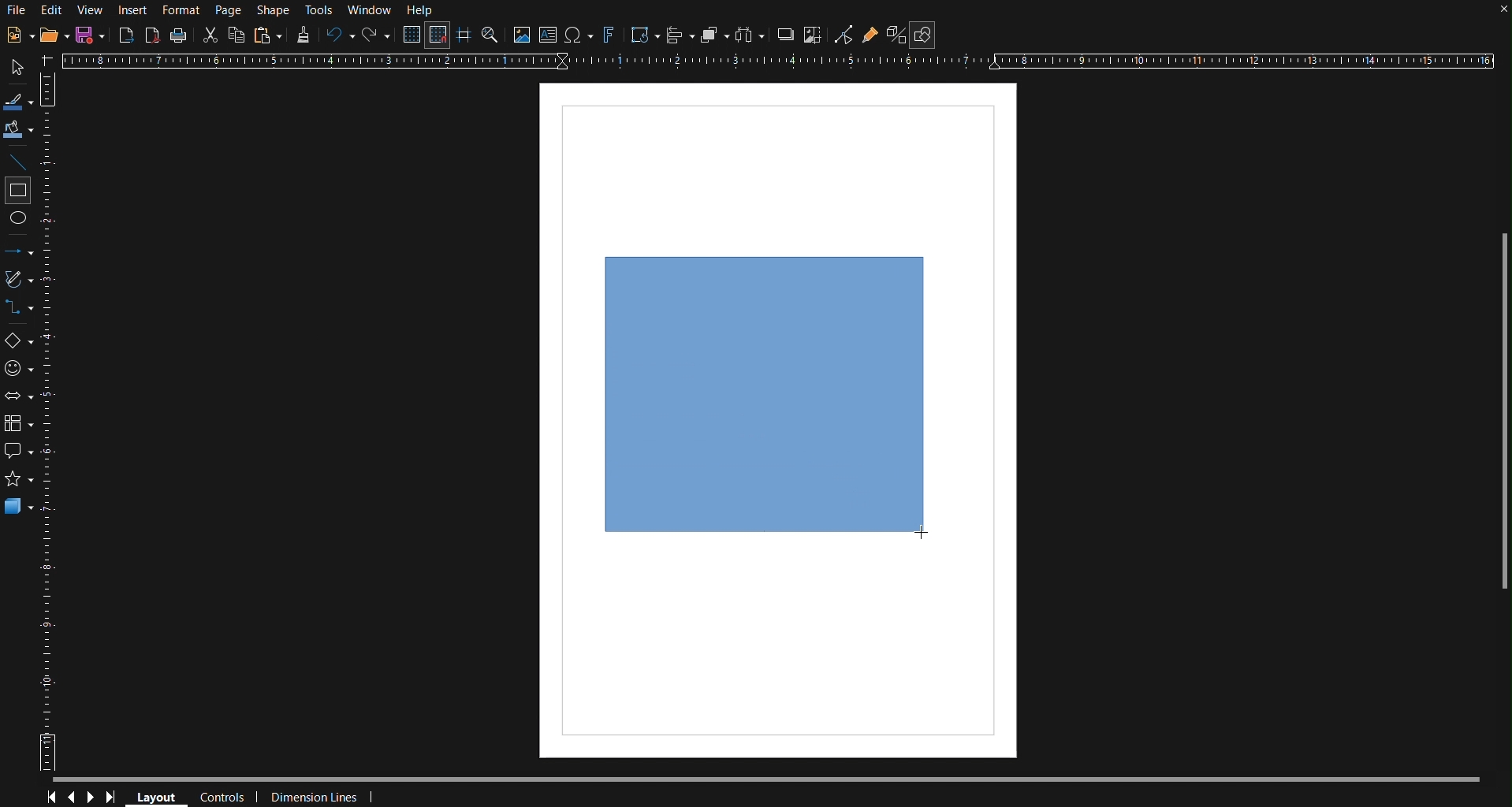 The image size is (1512, 807). Describe the element at coordinates (337, 35) in the screenshot. I see `Undo` at that location.